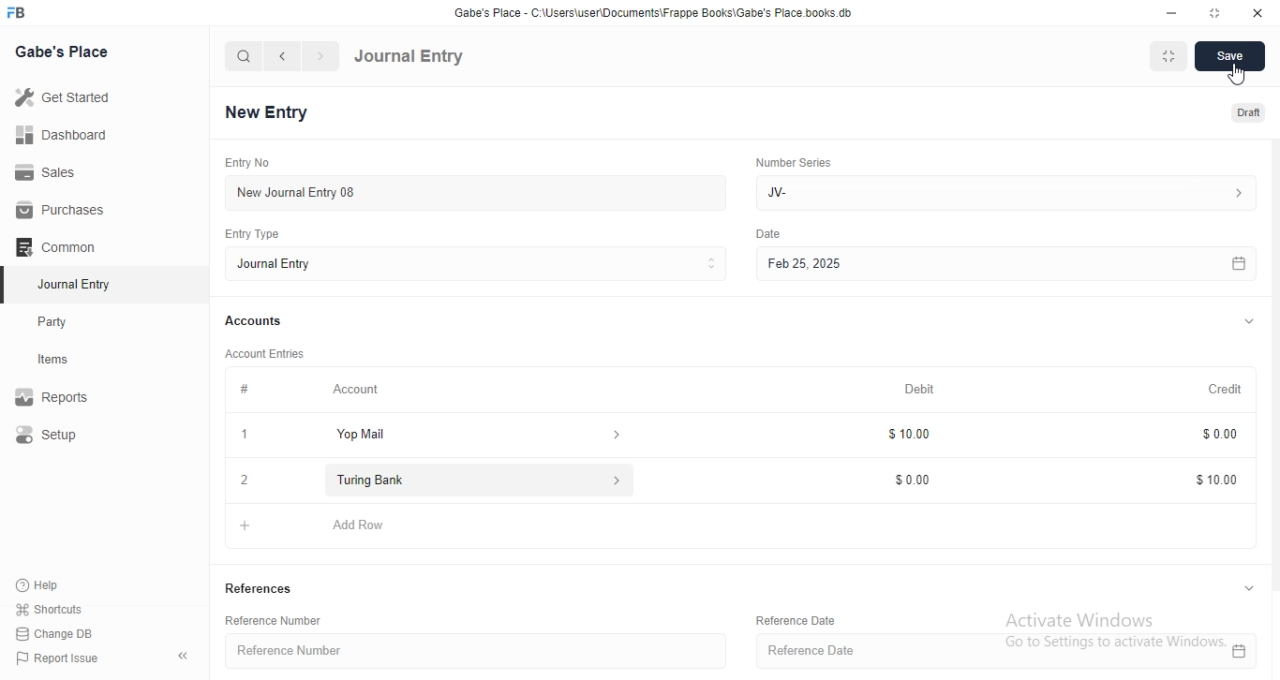  Describe the element at coordinates (72, 322) in the screenshot. I see `Party` at that location.